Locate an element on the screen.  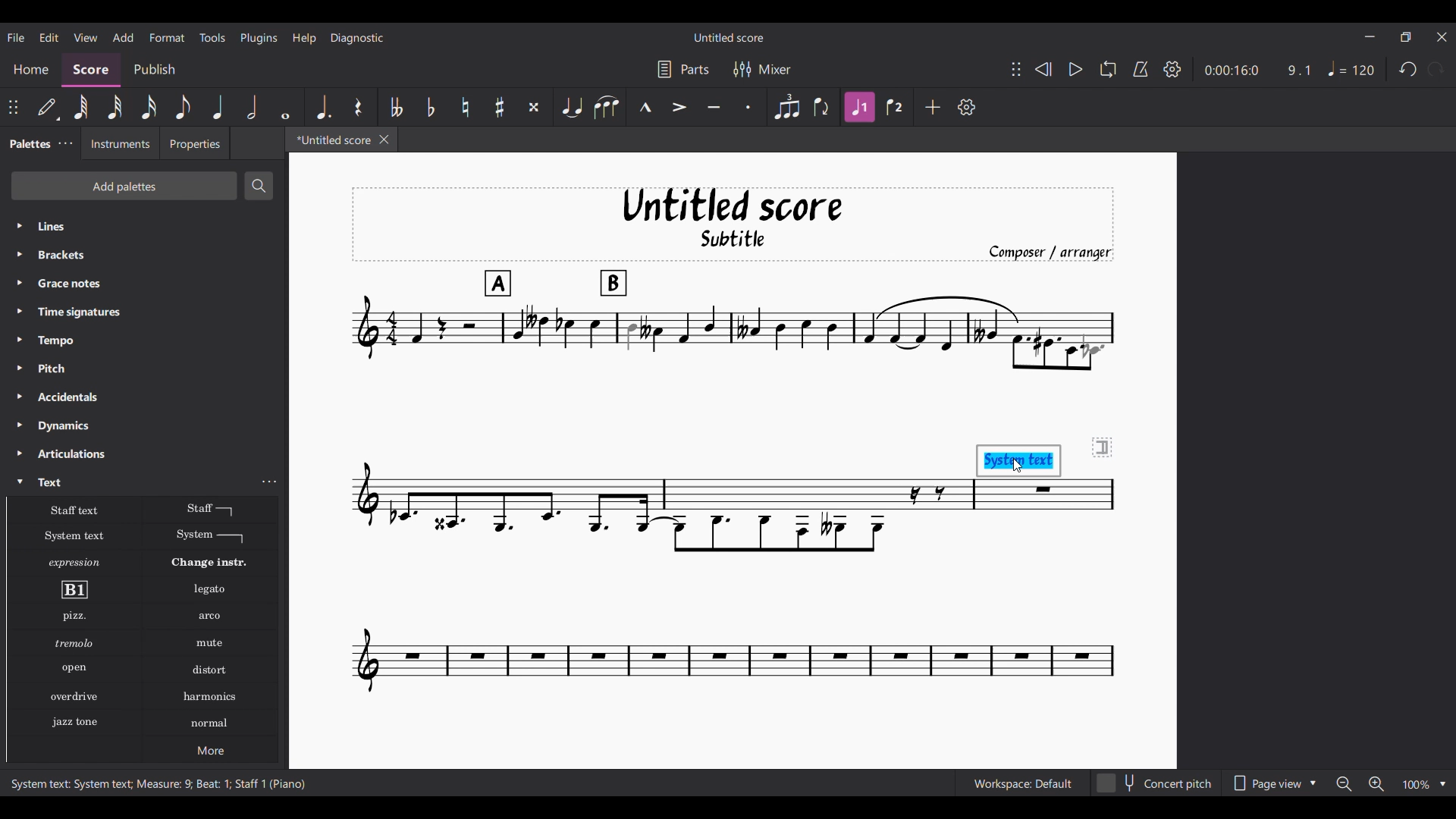
Concert pitch toggle is located at coordinates (1155, 783).